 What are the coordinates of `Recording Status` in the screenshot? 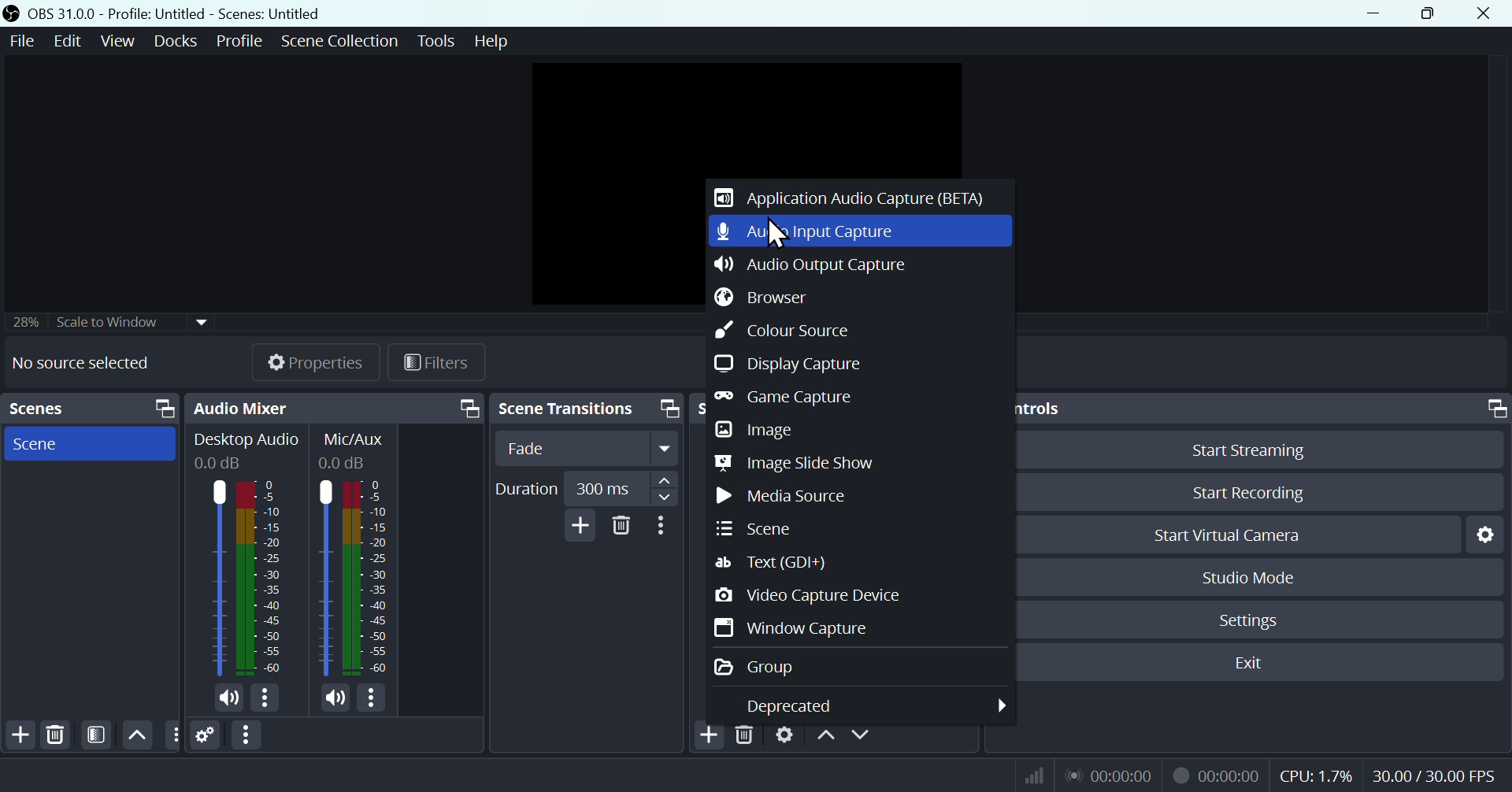 It's located at (1217, 775).